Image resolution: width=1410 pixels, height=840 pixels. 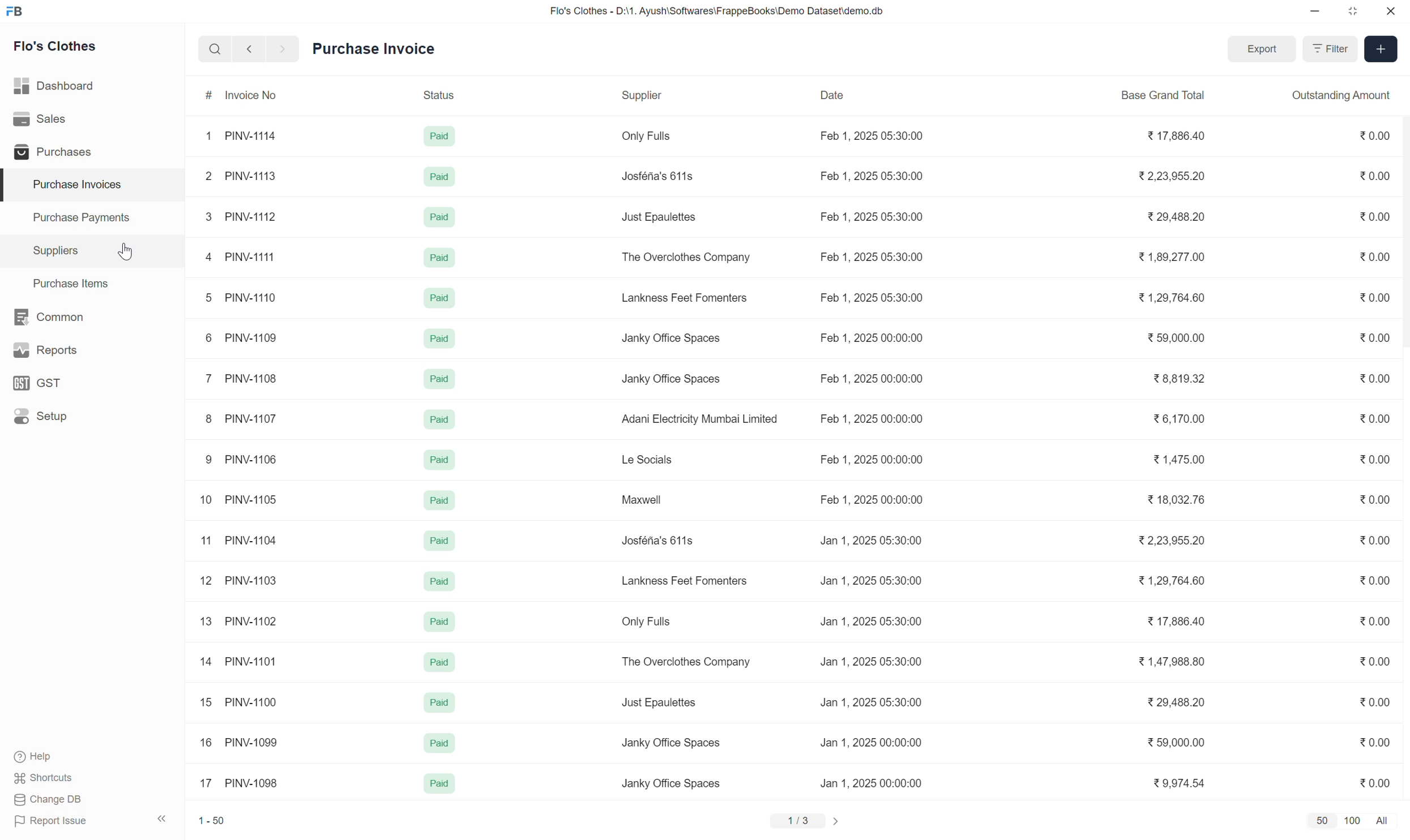 I want to click on Lankness Feet Fomenters, so click(x=685, y=298).